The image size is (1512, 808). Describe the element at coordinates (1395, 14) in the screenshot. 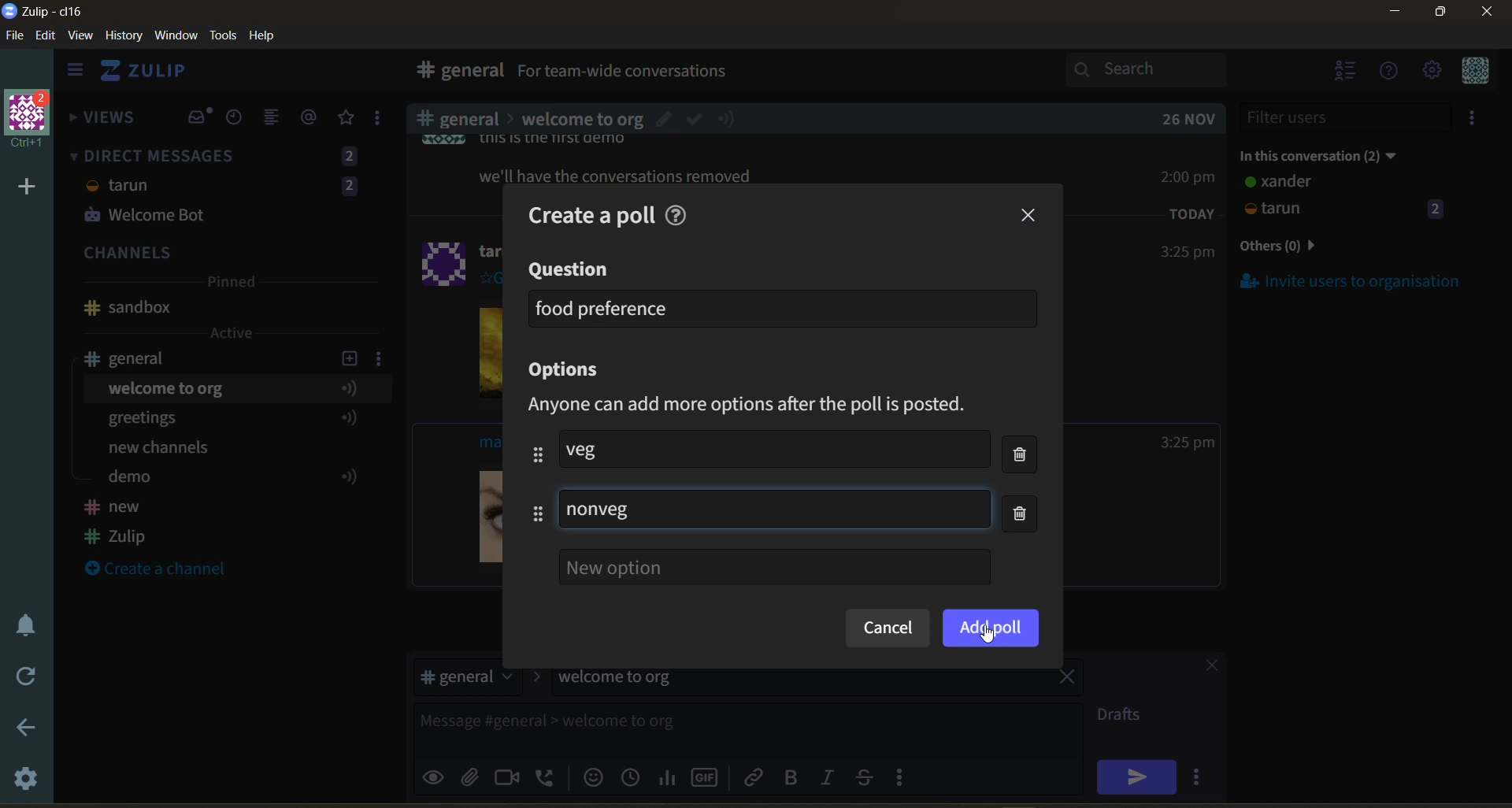

I see `minimize` at that location.